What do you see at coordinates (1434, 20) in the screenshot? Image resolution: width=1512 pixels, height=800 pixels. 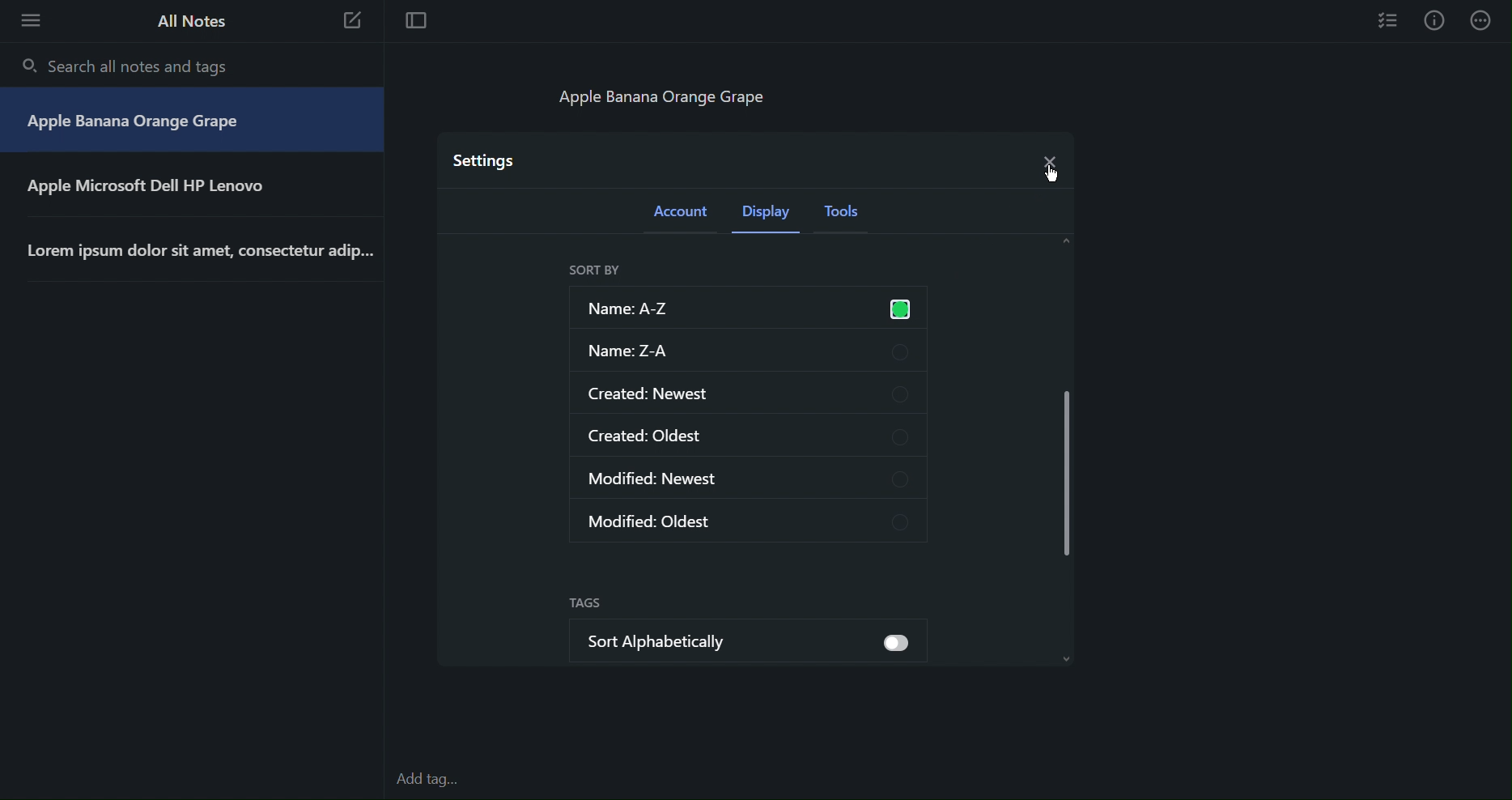 I see `Info` at bounding box center [1434, 20].